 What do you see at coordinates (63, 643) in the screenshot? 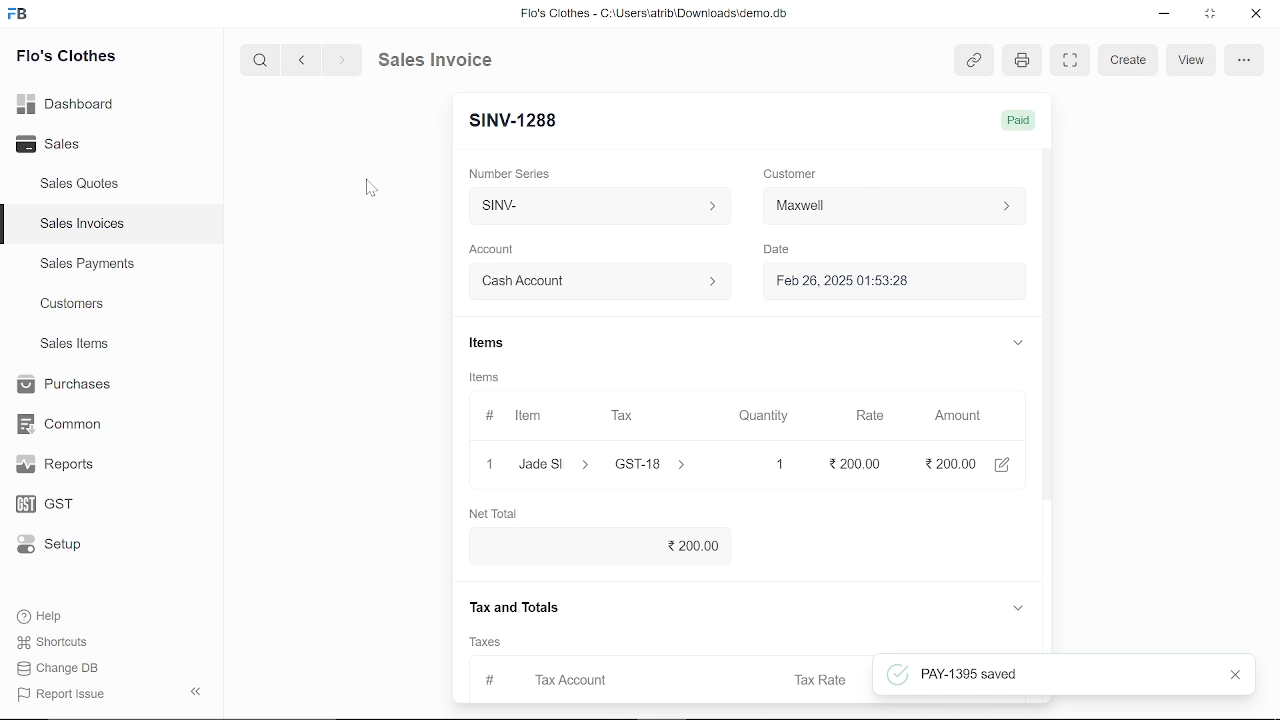
I see `Shortcuts` at bounding box center [63, 643].